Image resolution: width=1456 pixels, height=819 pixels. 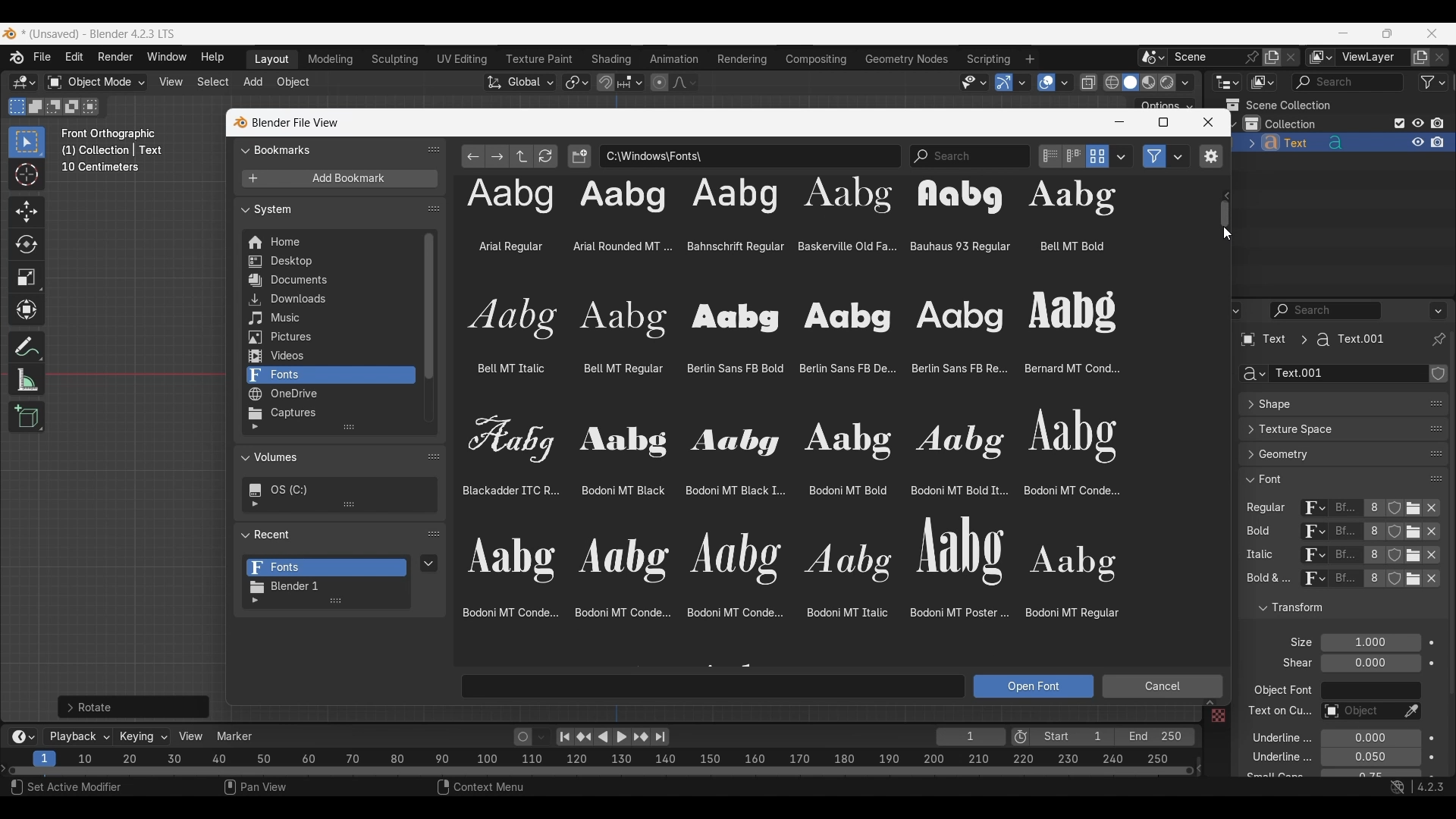 I want to click on Extend existing selection, so click(x=36, y=107).